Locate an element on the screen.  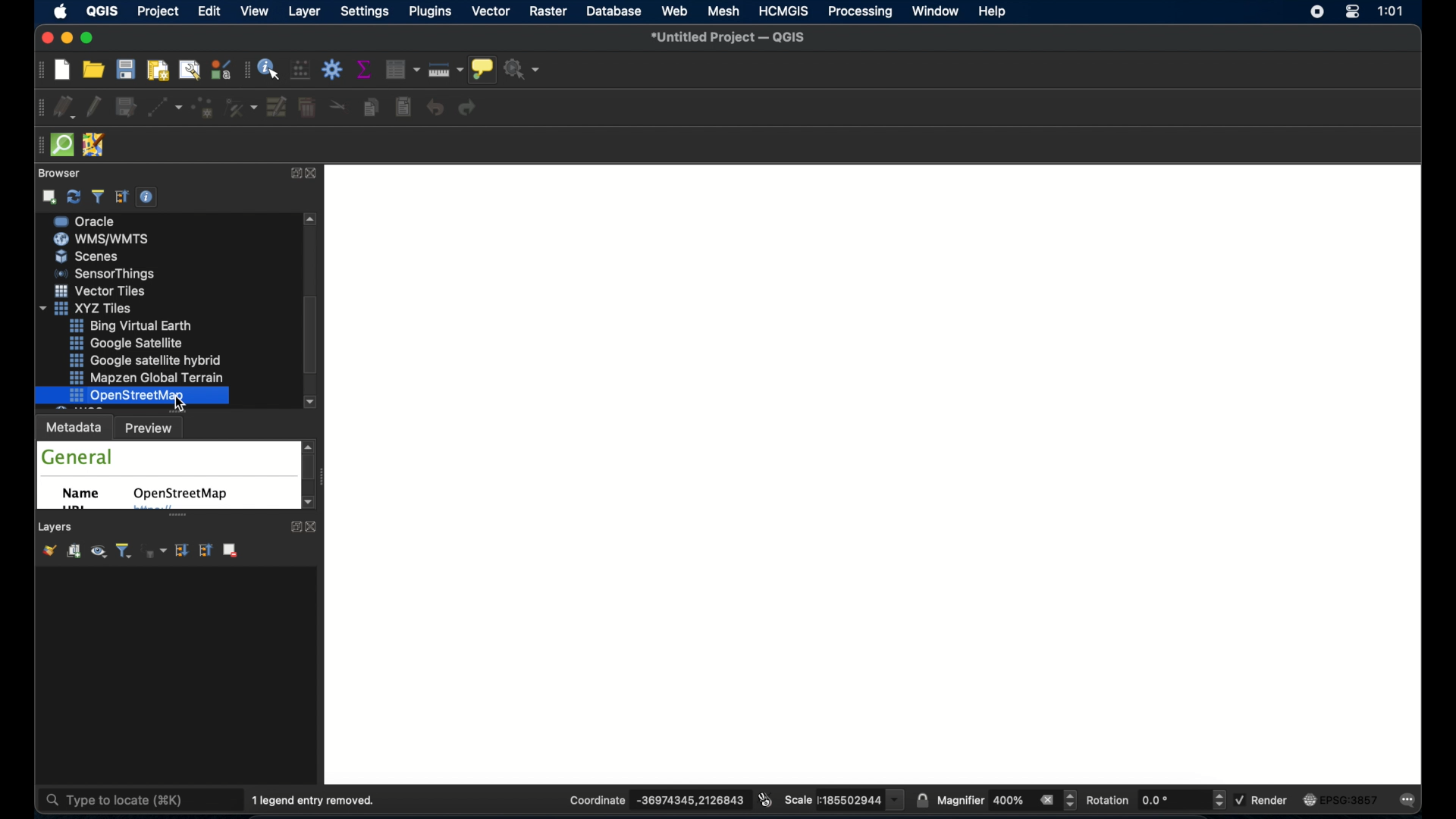
view is located at coordinates (256, 11).